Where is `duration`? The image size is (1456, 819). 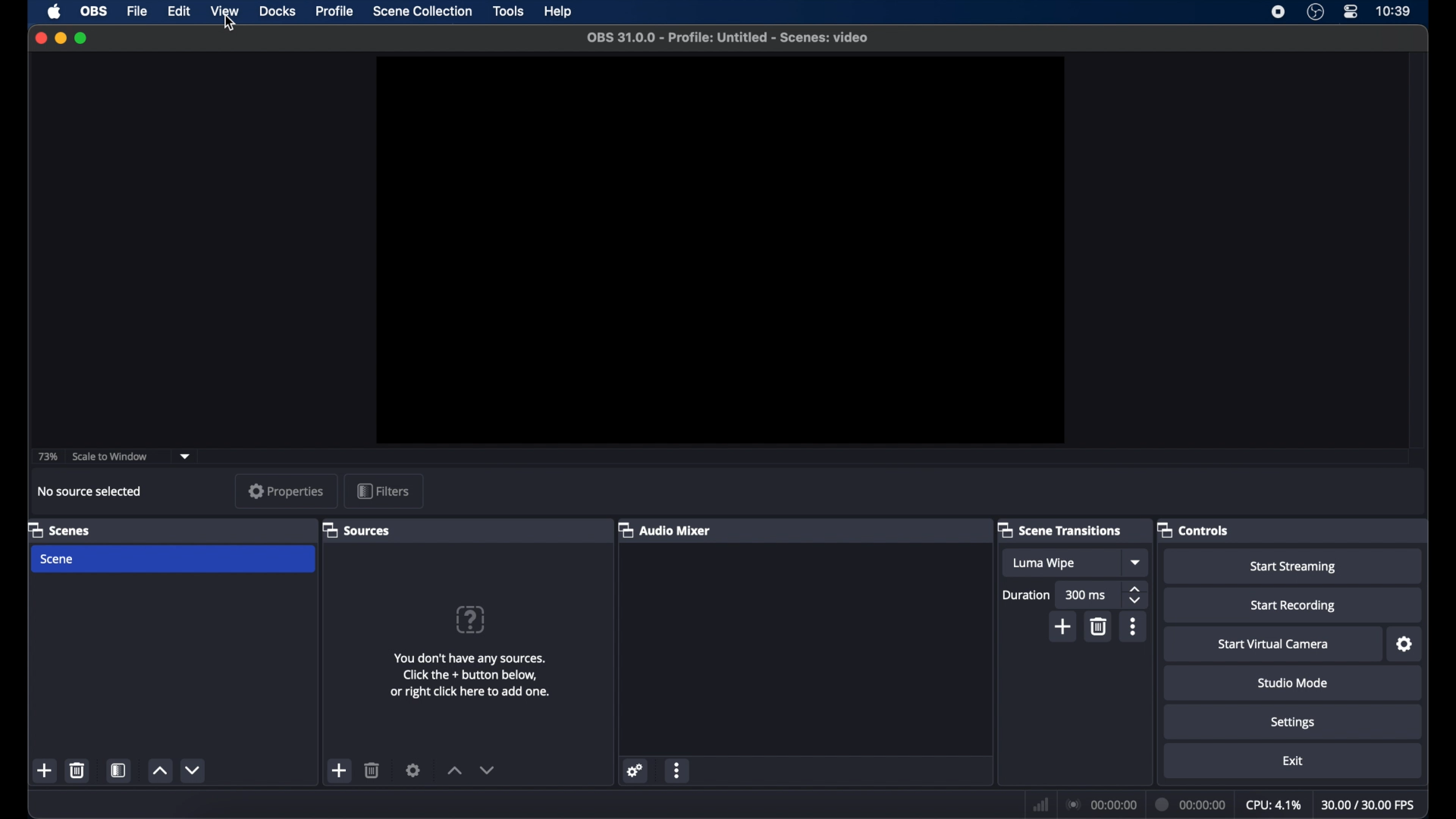 duration is located at coordinates (1025, 595).